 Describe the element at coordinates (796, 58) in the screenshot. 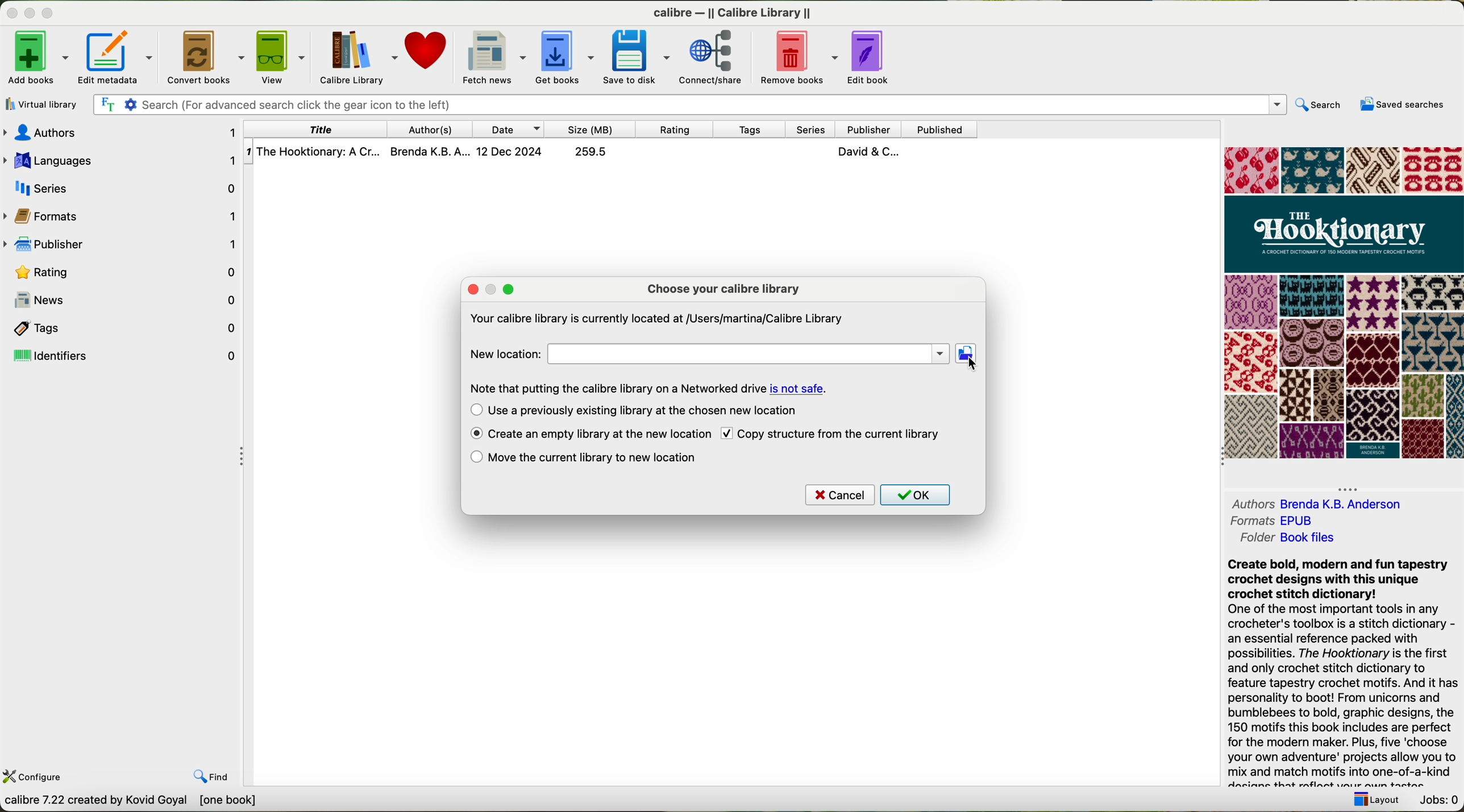

I see `remove books` at that location.